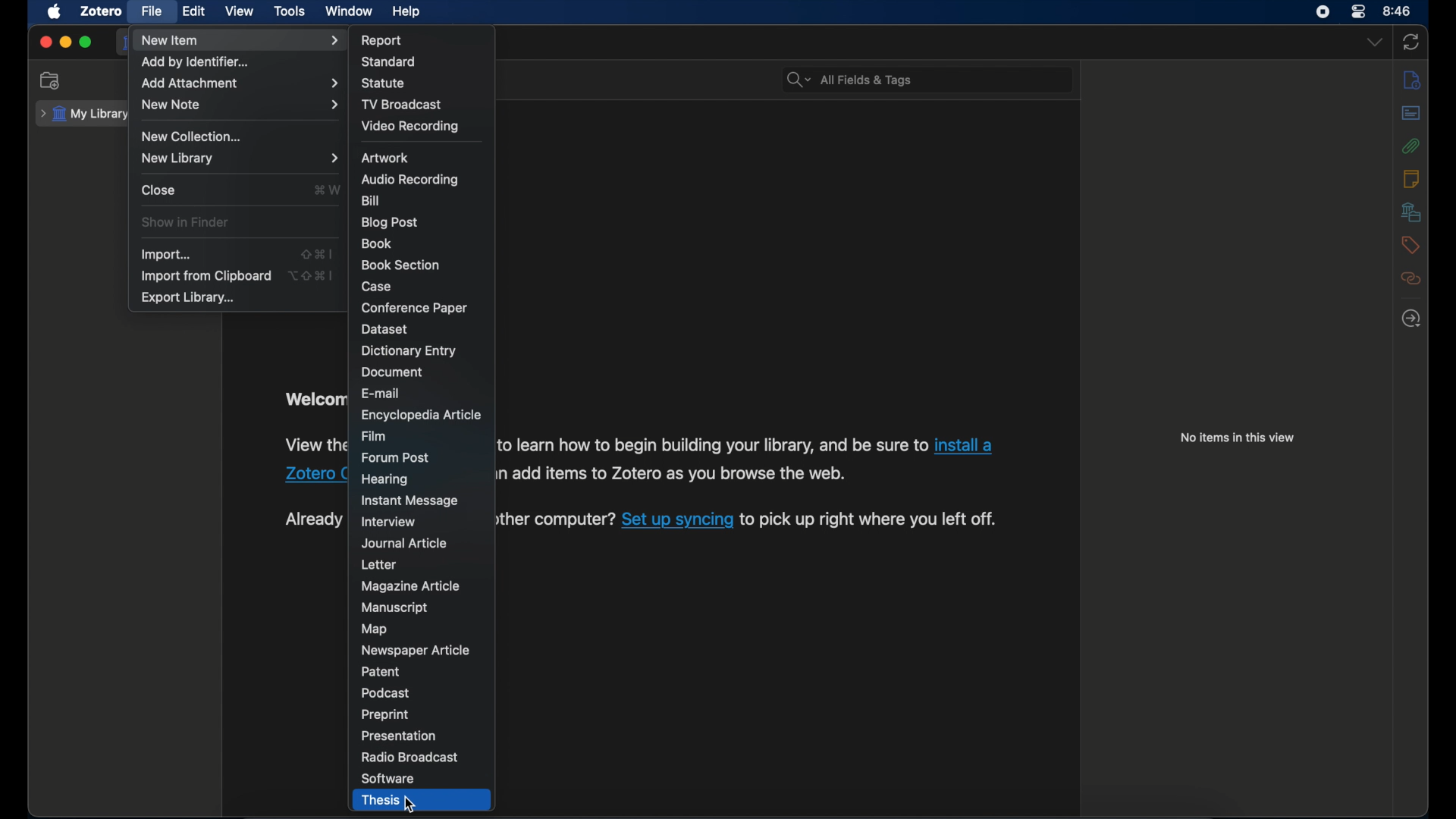 Image resolution: width=1456 pixels, height=819 pixels. What do you see at coordinates (45, 42) in the screenshot?
I see `close` at bounding box center [45, 42].